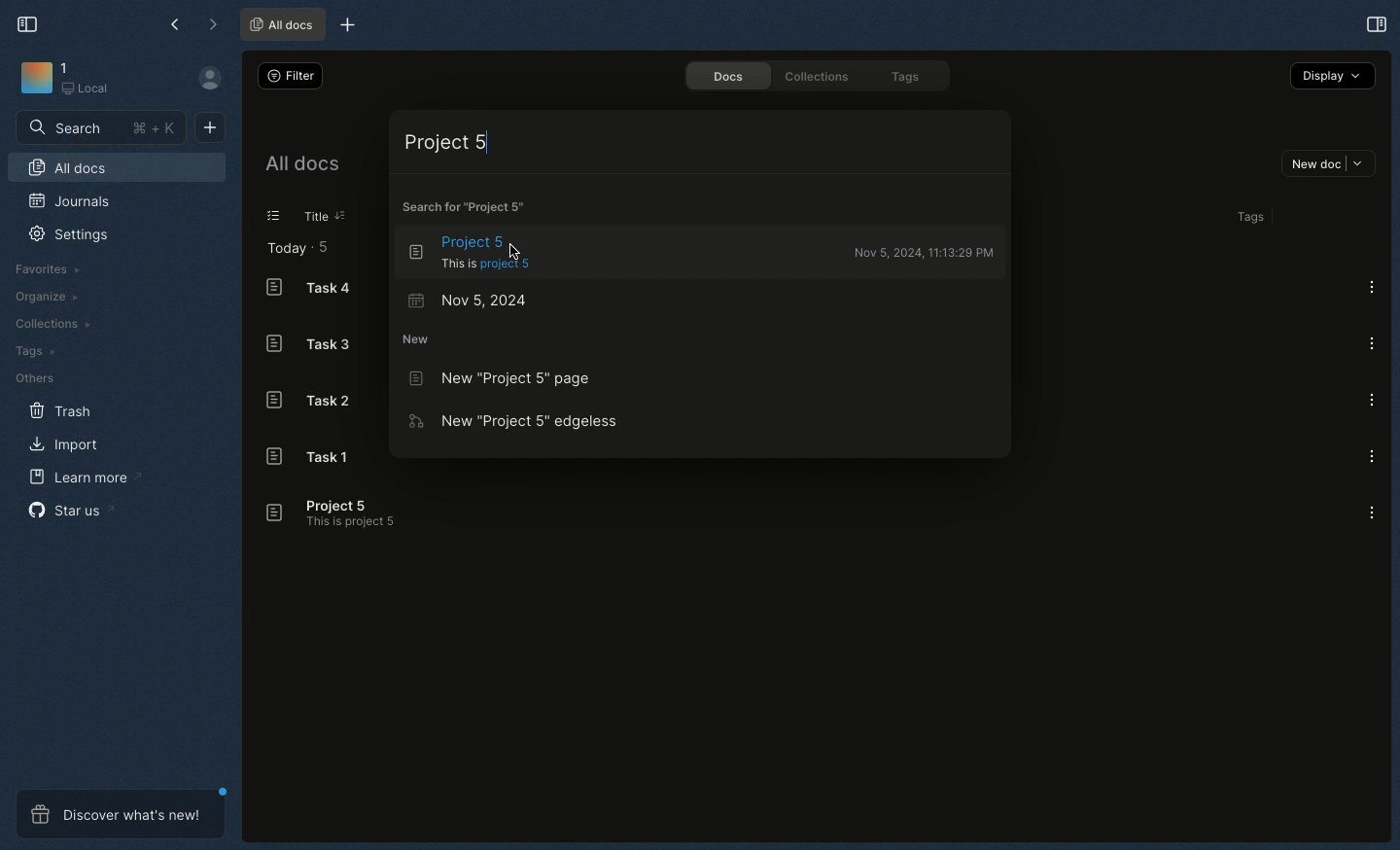 This screenshot has height=850, width=1400. What do you see at coordinates (468, 207) in the screenshot?
I see `Search for Project 5` at bounding box center [468, 207].